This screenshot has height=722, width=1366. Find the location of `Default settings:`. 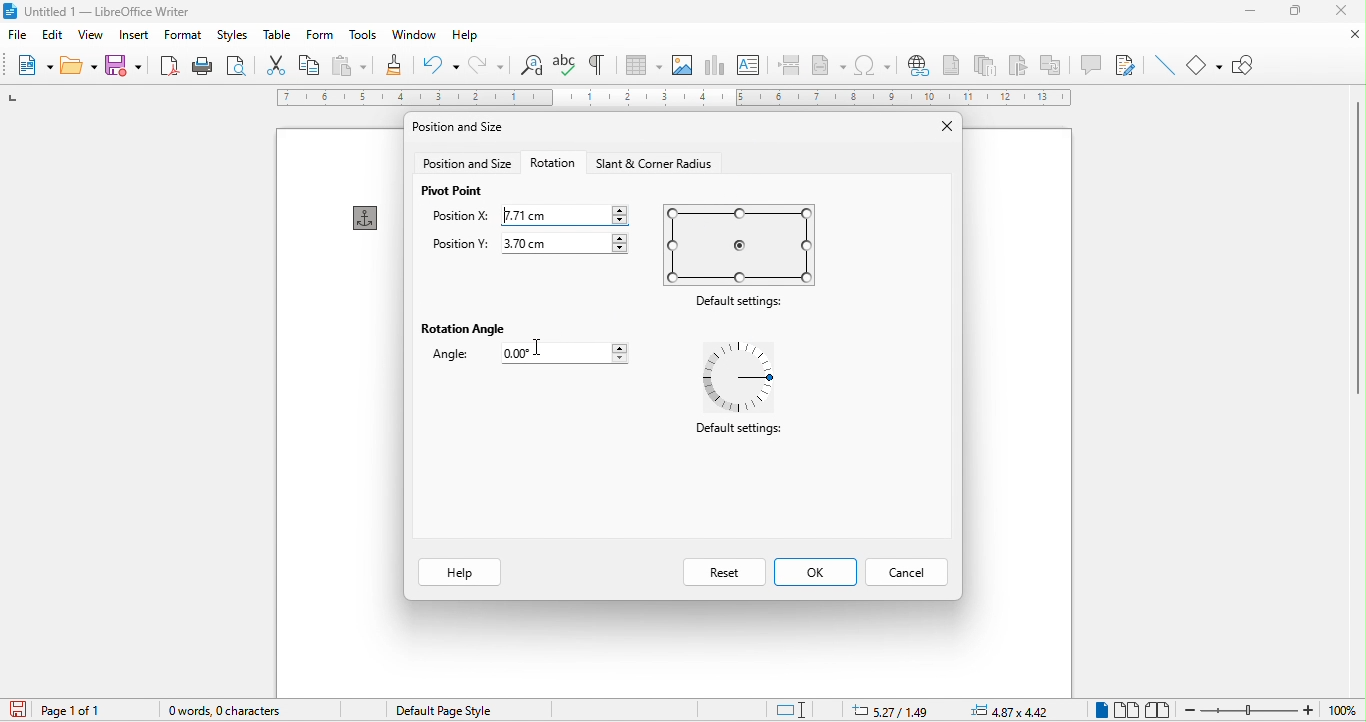

Default settings: is located at coordinates (740, 429).